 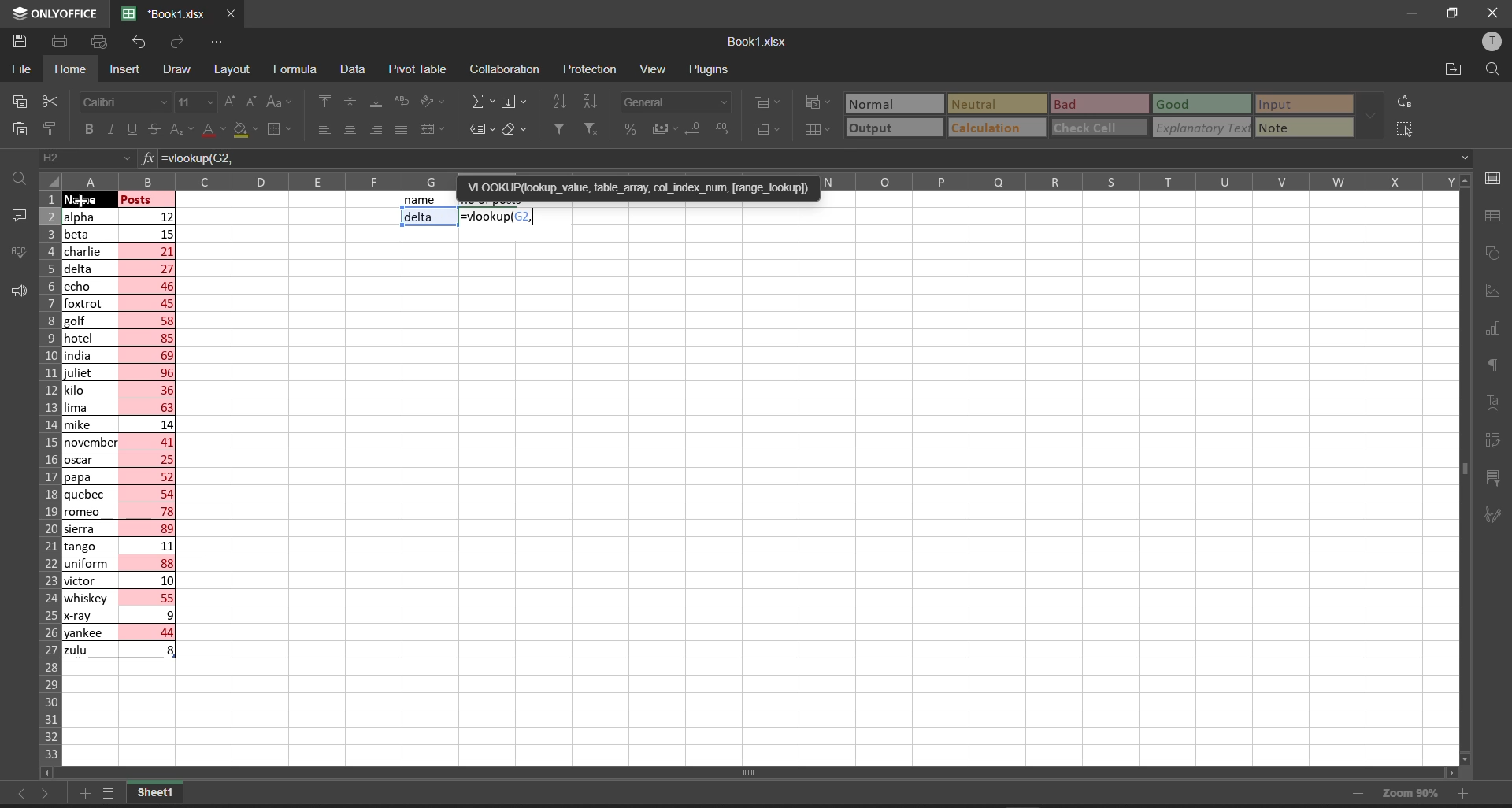 I want to click on layout, so click(x=234, y=70).